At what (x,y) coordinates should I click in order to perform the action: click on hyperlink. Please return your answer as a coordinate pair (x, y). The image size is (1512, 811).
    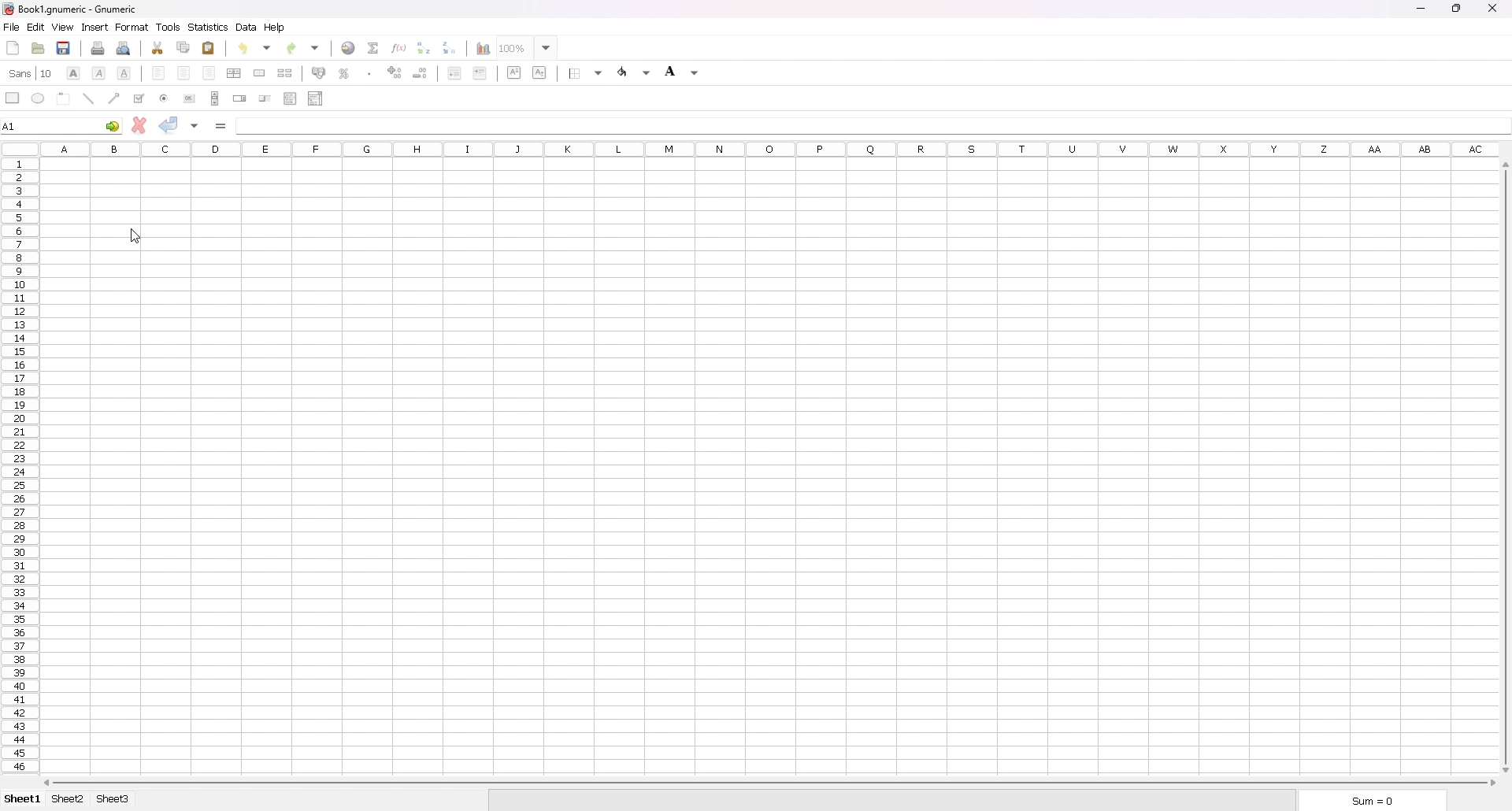
    Looking at the image, I should click on (347, 47).